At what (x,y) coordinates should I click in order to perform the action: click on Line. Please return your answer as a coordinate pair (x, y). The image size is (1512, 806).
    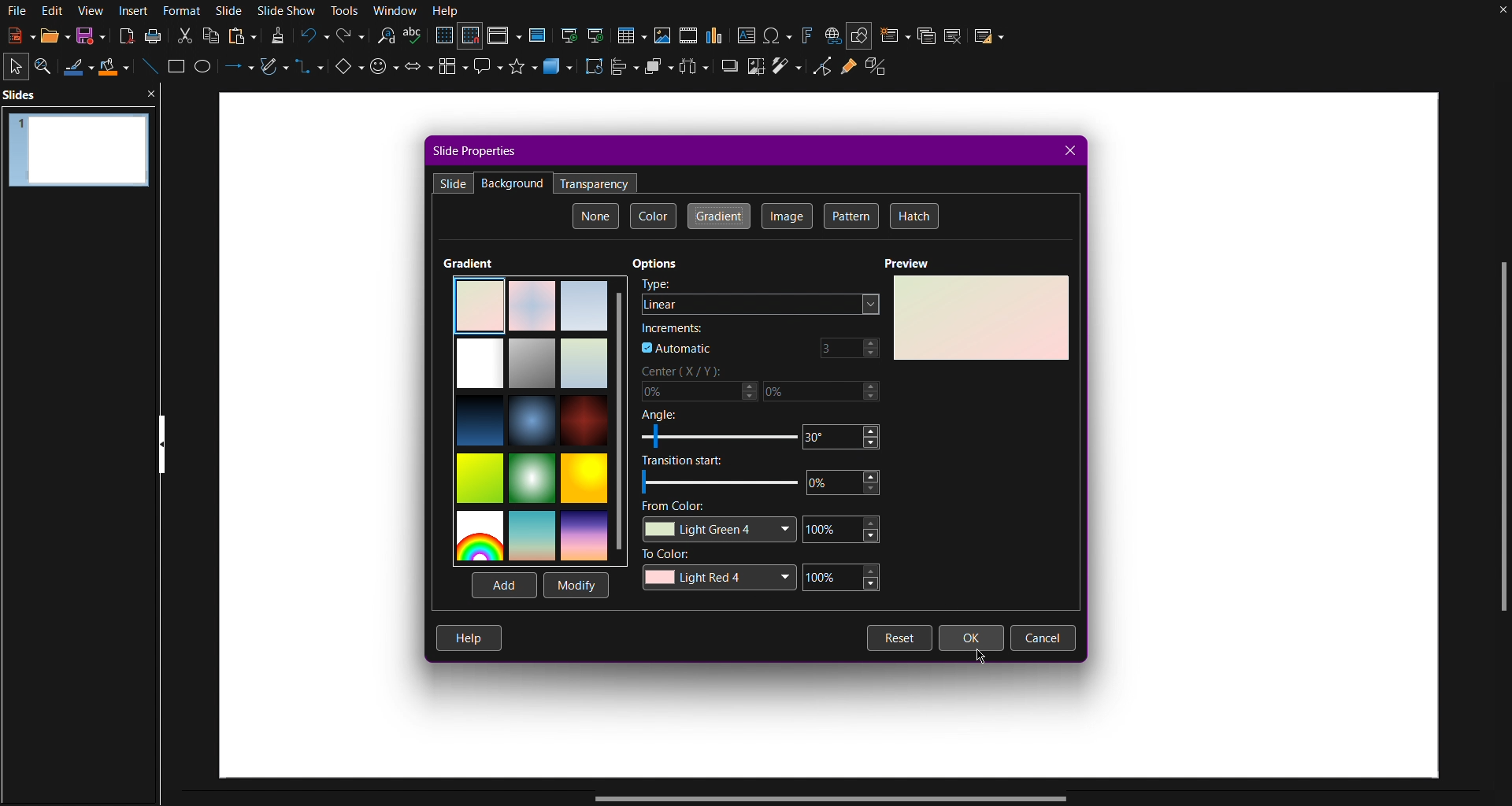
    Looking at the image, I should click on (148, 69).